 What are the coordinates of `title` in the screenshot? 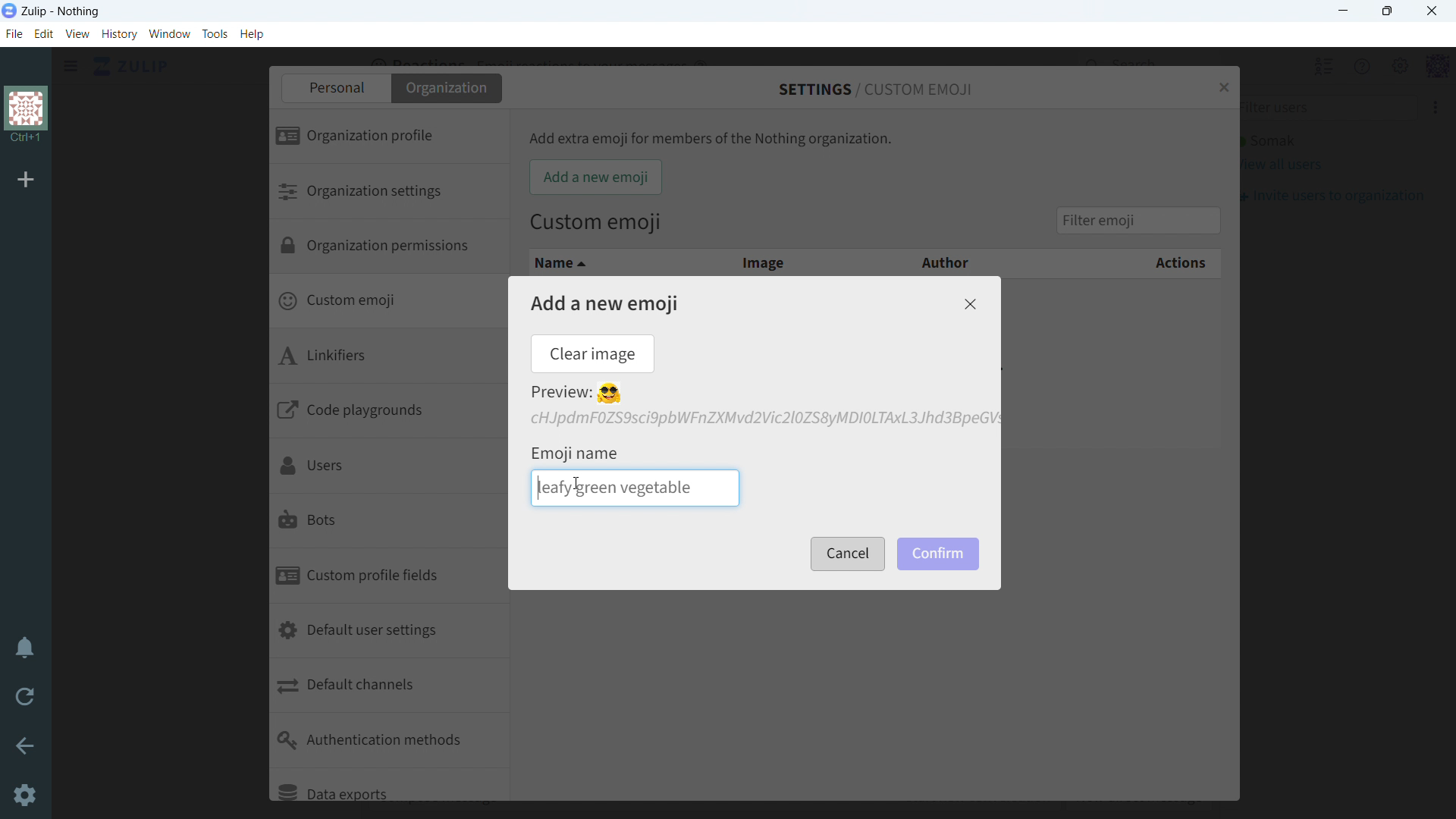 It's located at (61, 12).